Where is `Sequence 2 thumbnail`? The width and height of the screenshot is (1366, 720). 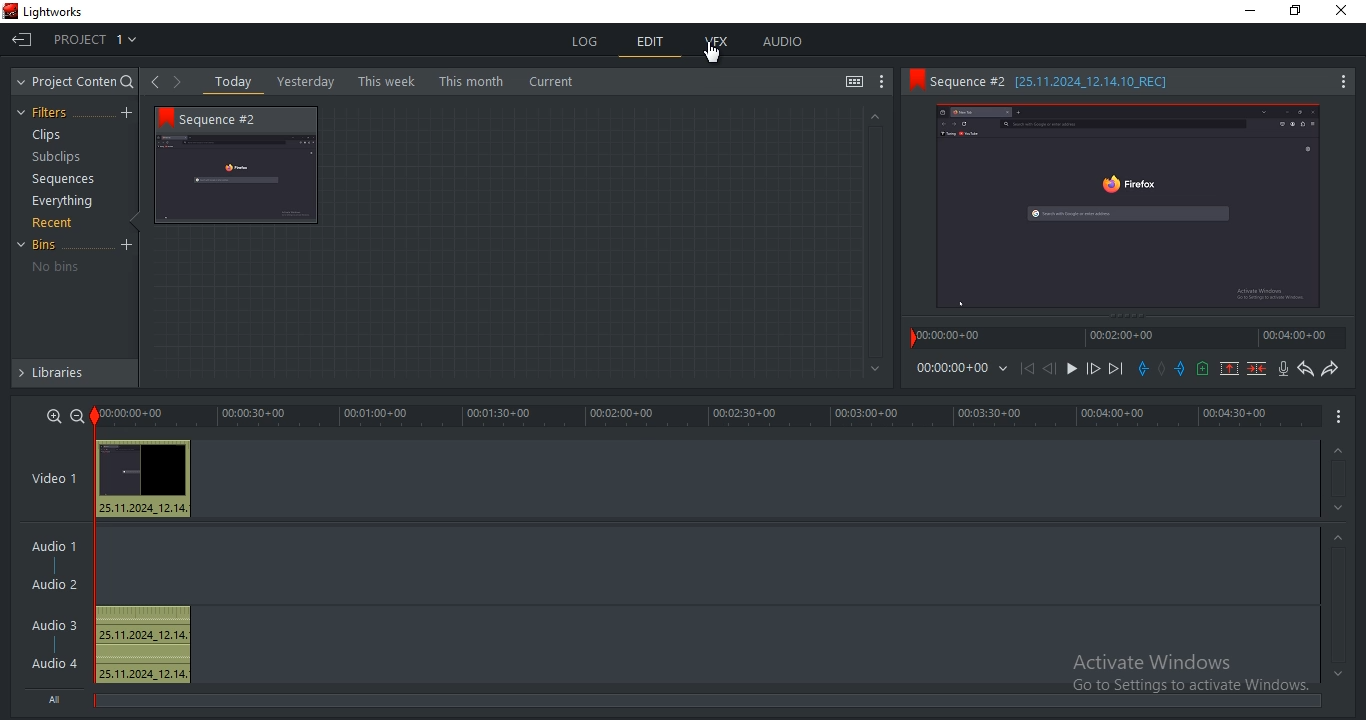
Sequence 2 thumbnail is located at coordinates (238, 177).